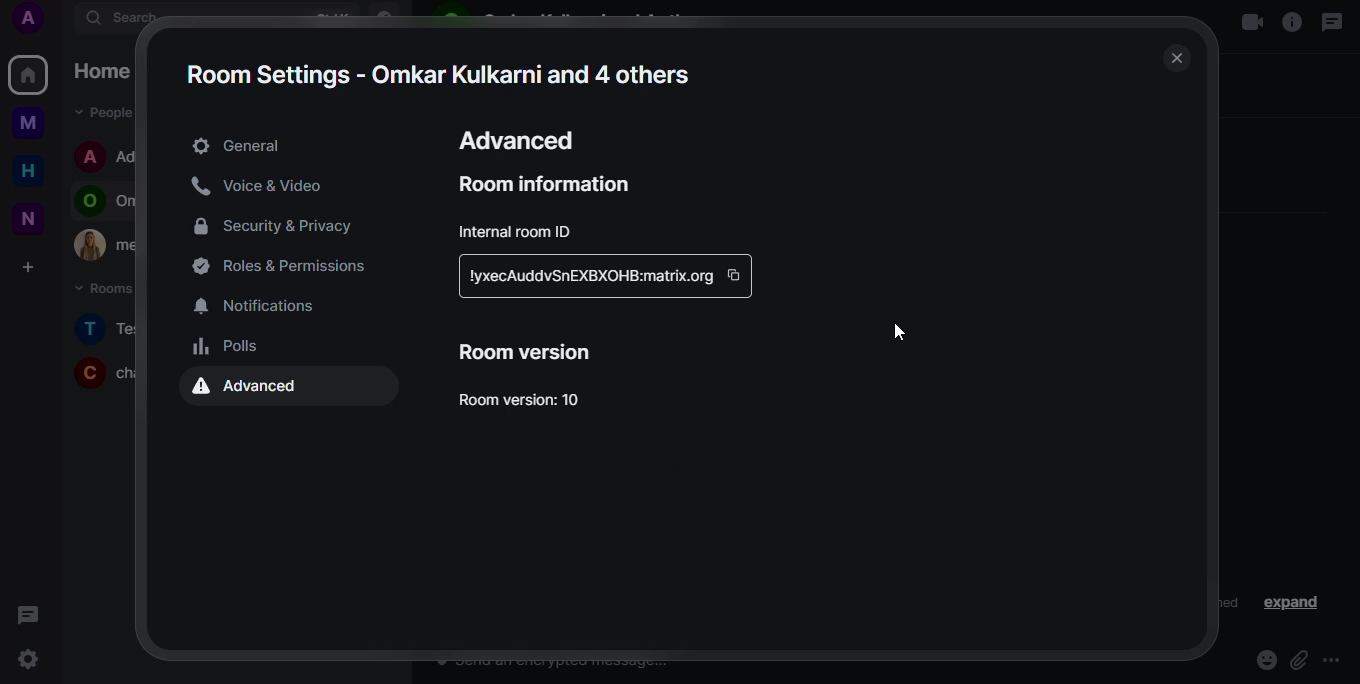  What do you see at coordinates (102, 289) in the screenshot?
I see `rooms` at bounding box center [102, 289].